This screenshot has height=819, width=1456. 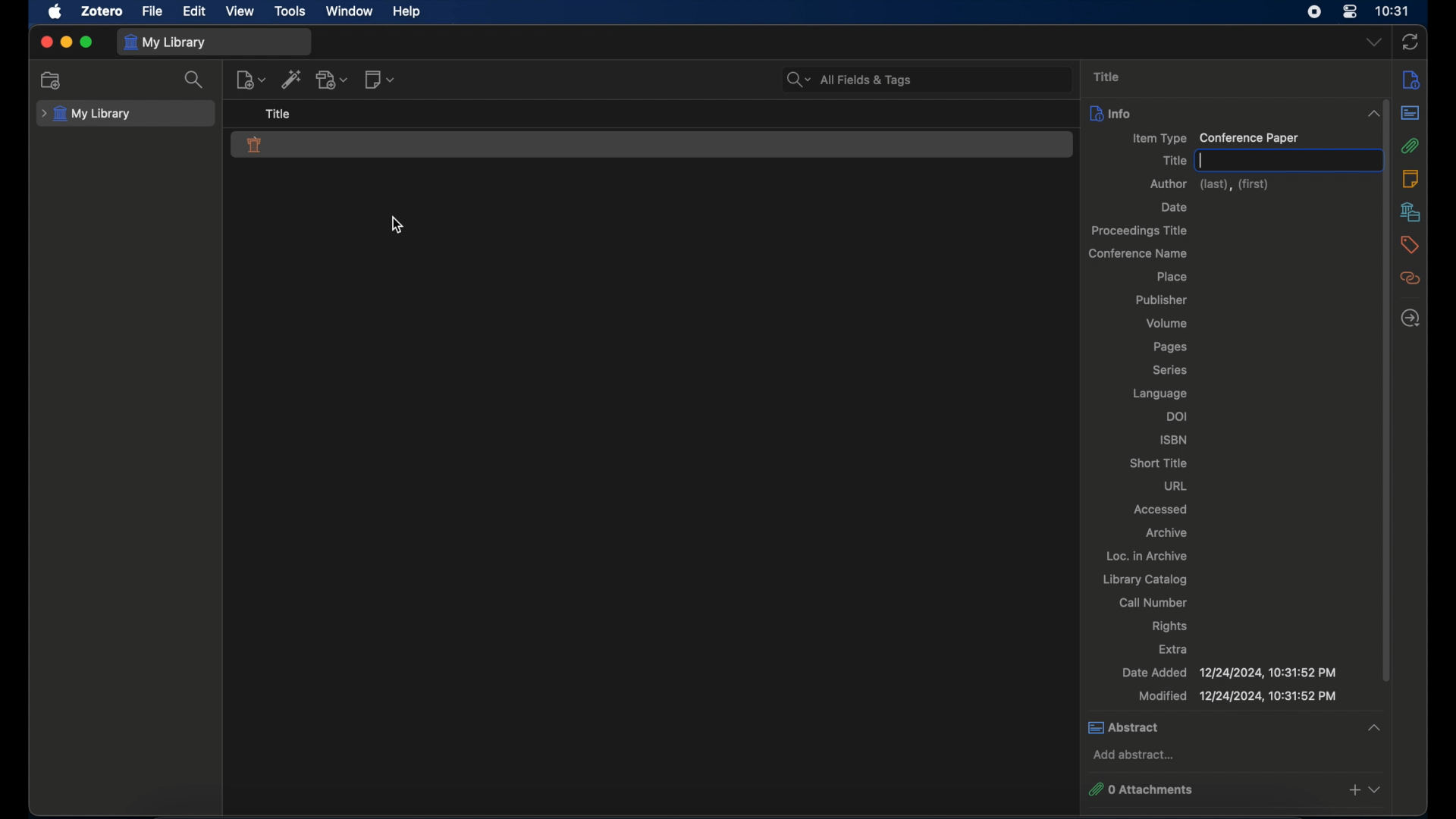 What do you see at coordinates (1173, 160) in the screenshot?
I see `title` at bounding box center [1173, 160].